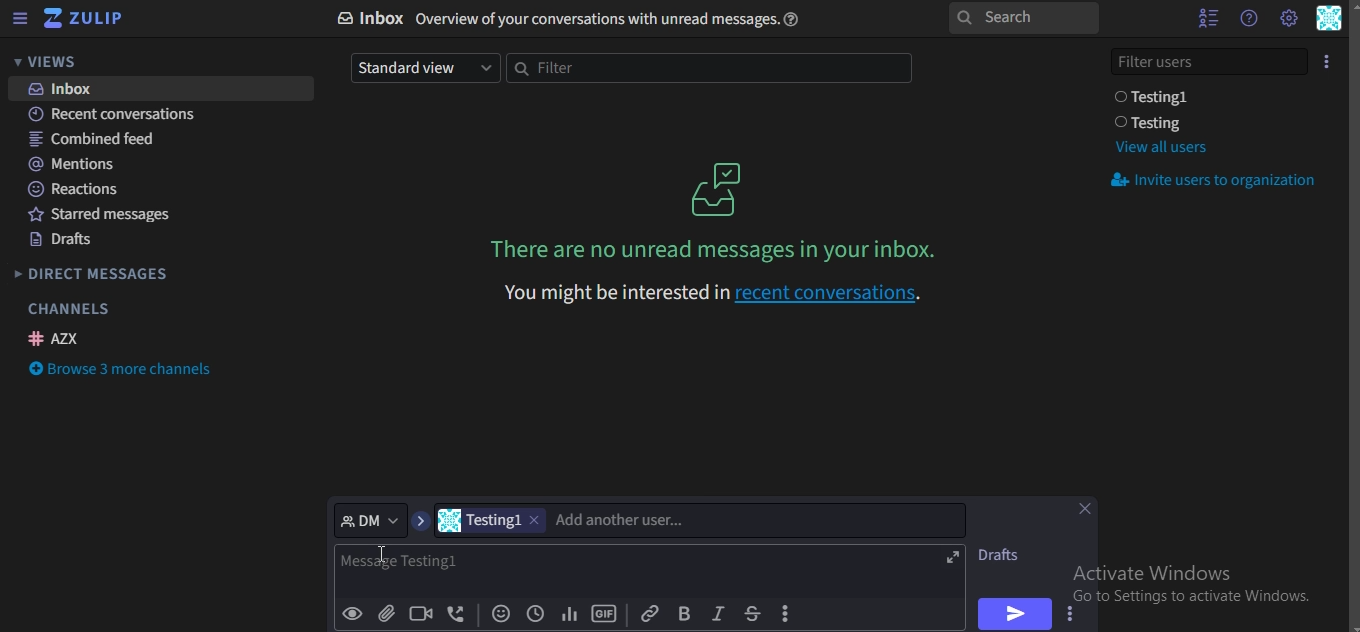 This screenshot has height=632, width=1360. Describe the element at coordinates (1328, 60) in the screenshot. I see `icon` at that location.